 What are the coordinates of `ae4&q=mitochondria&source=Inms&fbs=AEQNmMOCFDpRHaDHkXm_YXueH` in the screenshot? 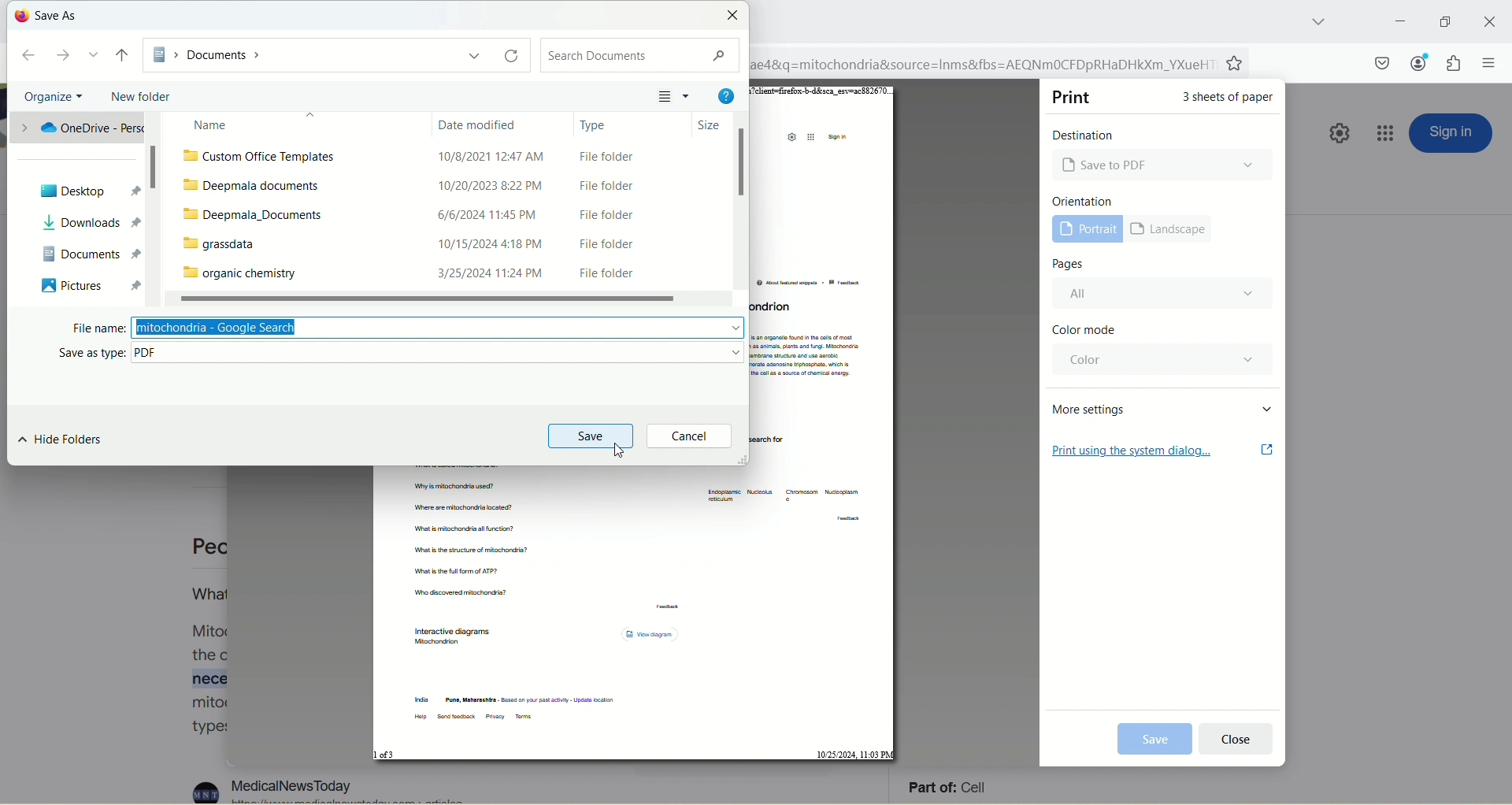 It's located at (983, 65).